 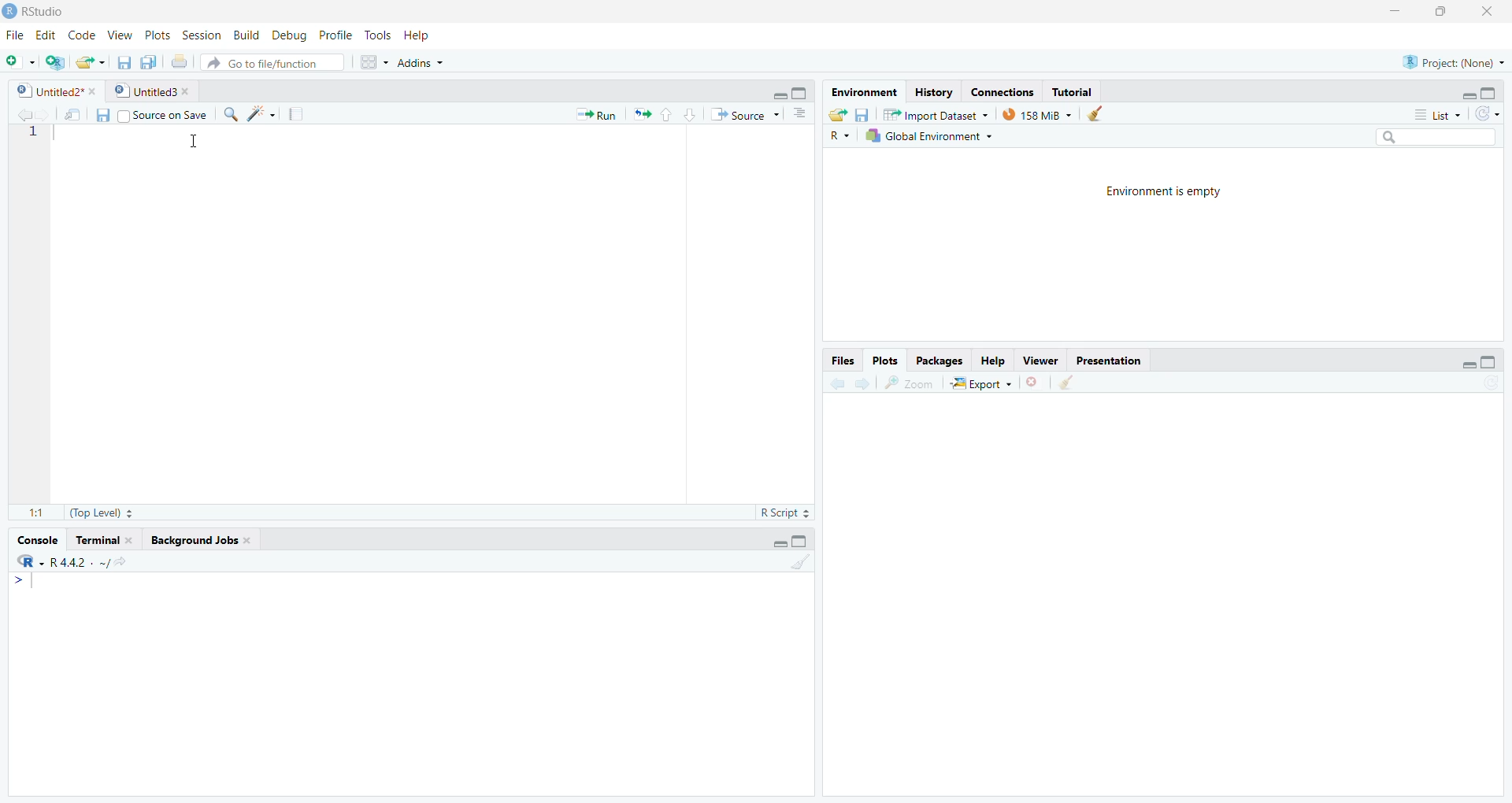 What do you see at coordinates (81, 35) in the screenshot?
I see `Code` at bounding box center [81, 35].